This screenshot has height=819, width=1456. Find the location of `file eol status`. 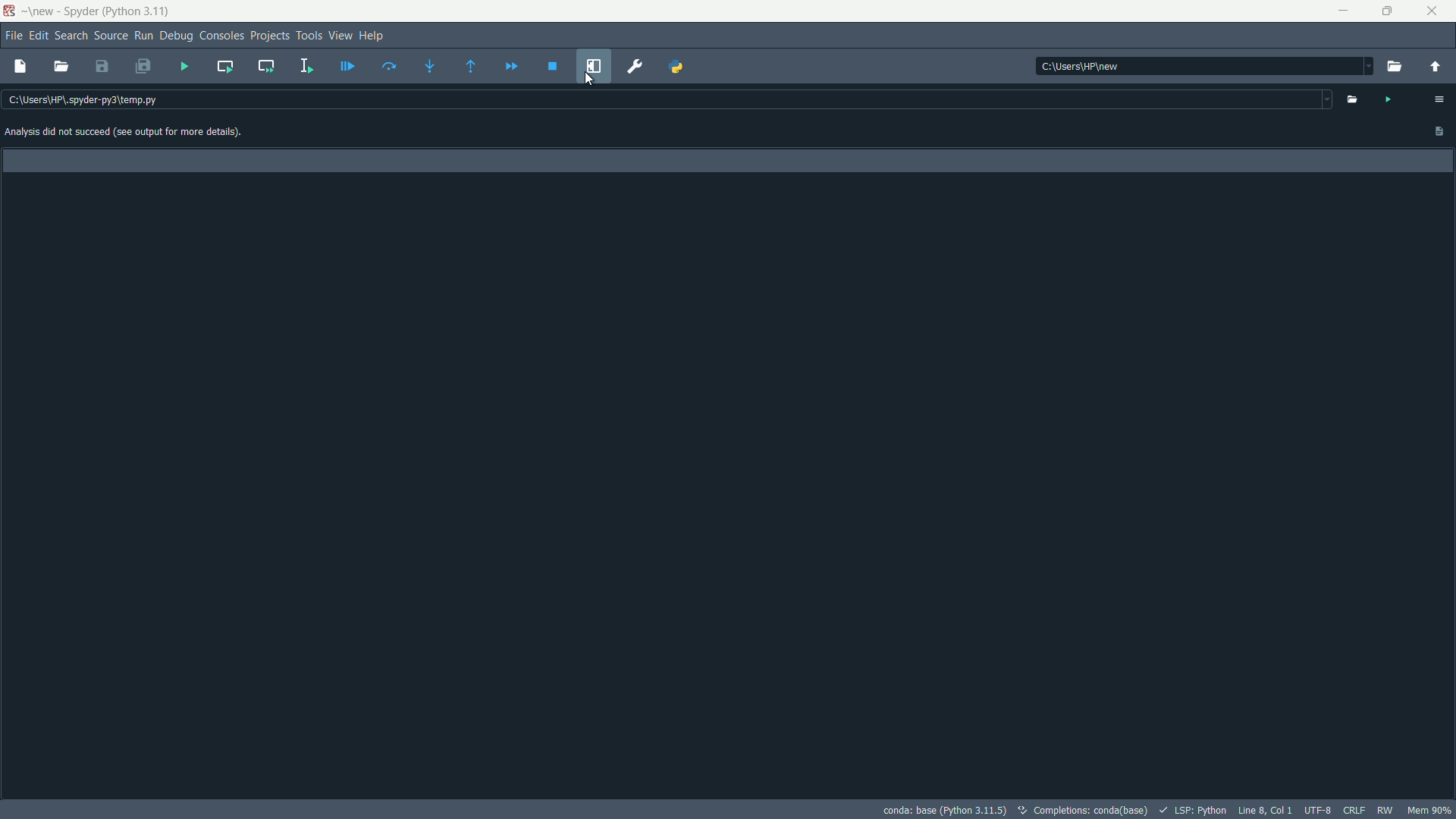

file eol status is located at coordinates (1354, 810).